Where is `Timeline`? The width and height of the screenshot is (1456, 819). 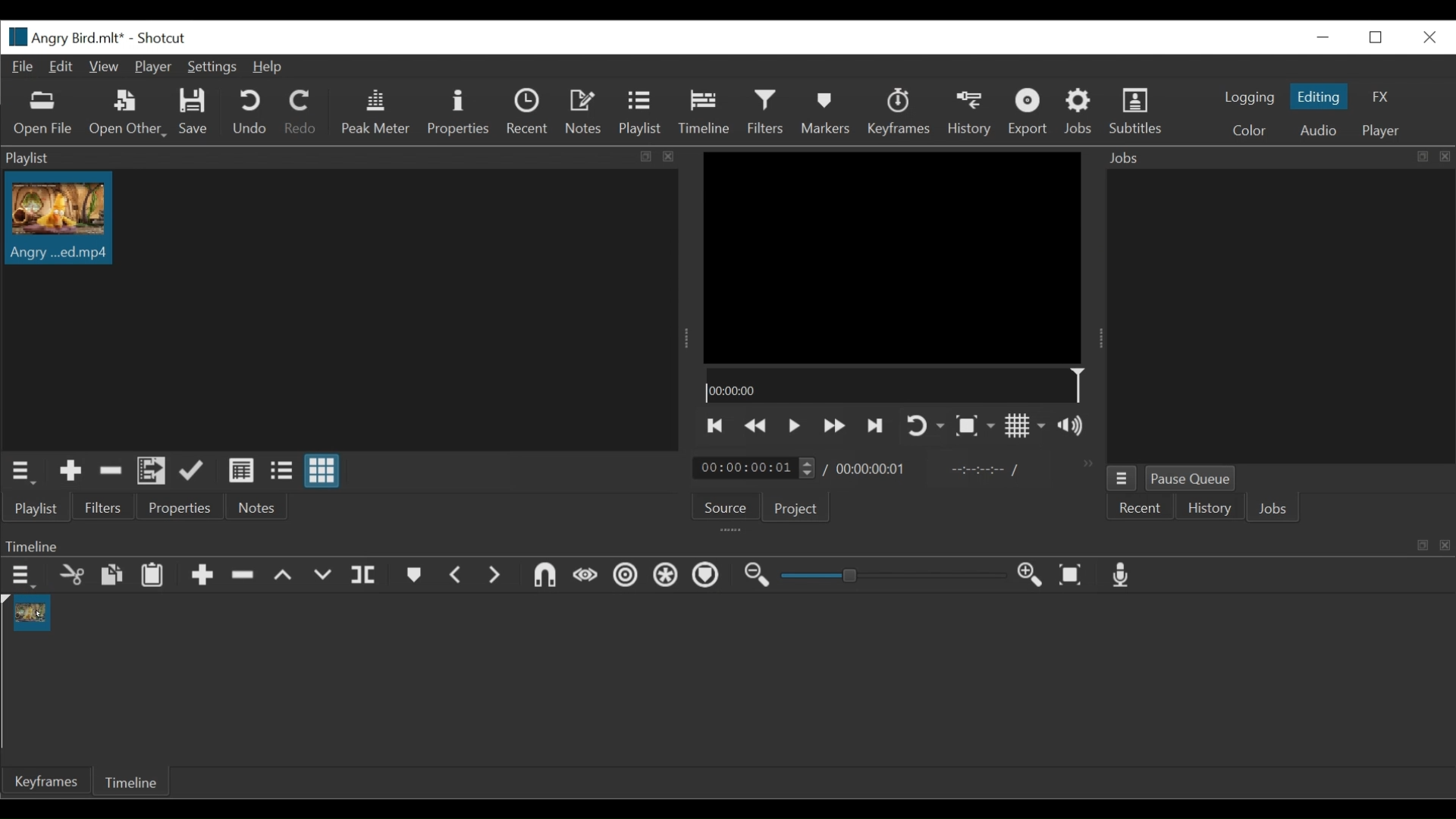
Timeline is located at coordinates (706, 111).